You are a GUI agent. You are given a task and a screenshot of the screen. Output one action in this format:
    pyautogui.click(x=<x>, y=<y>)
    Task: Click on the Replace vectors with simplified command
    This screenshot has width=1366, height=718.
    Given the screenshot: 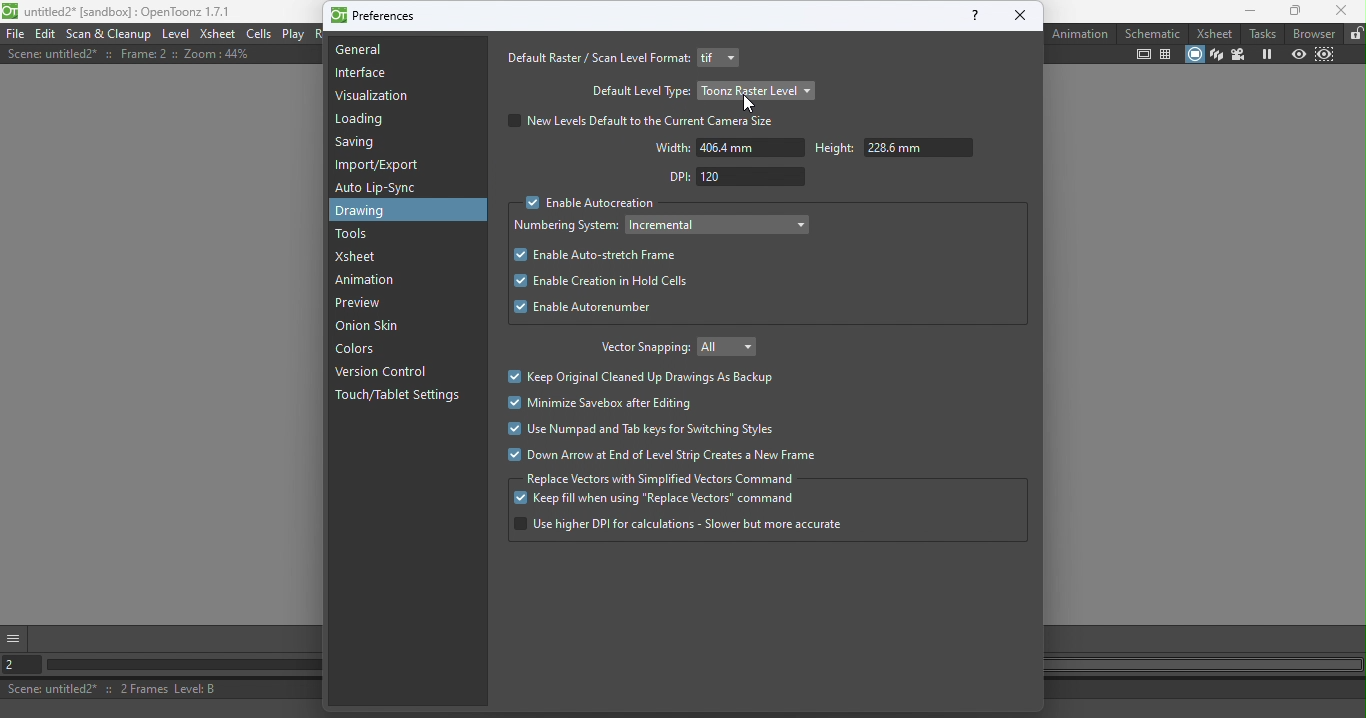 What is the action you would take?
    pyautogui.click(x=662, y=479)
    